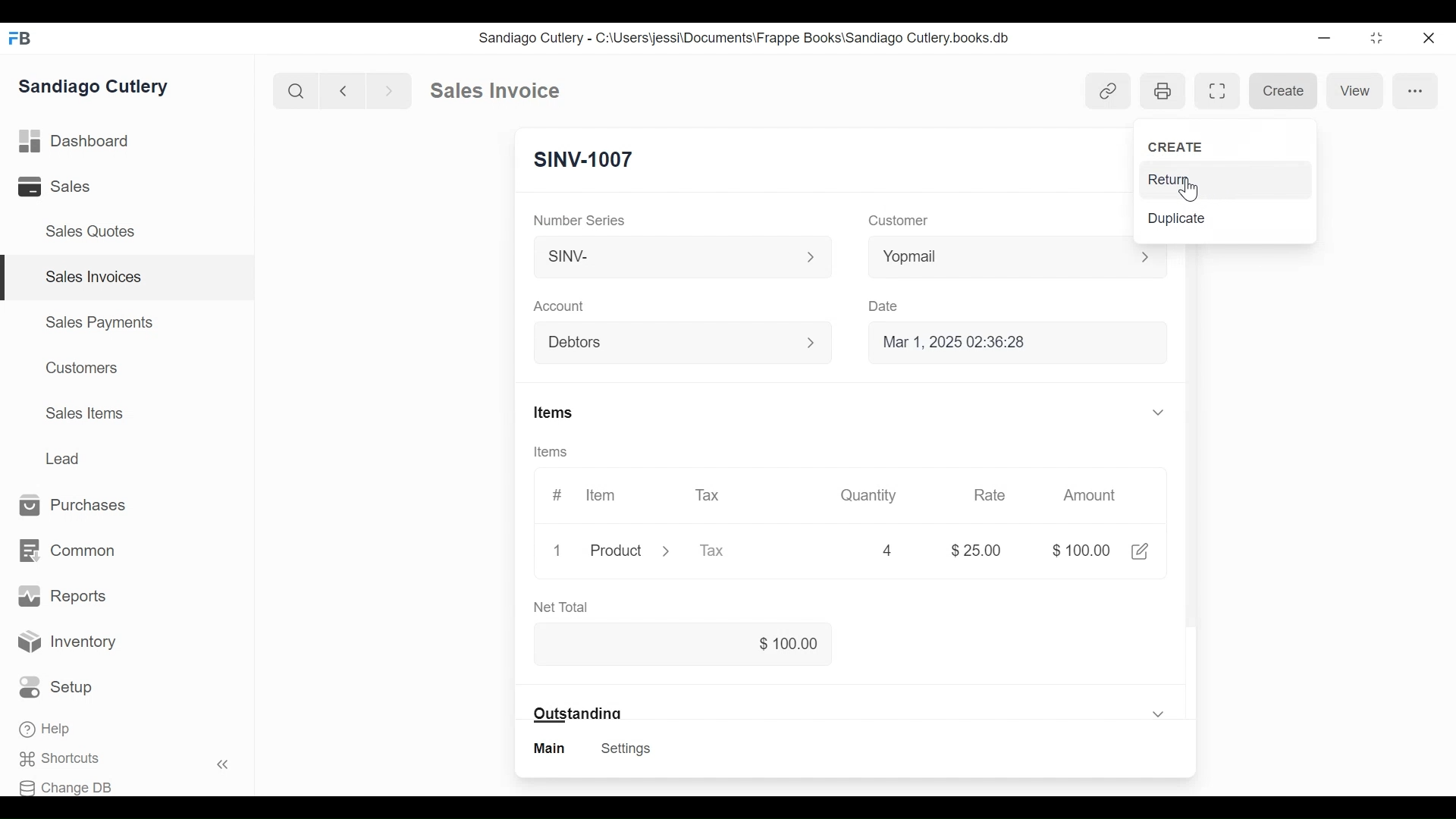 The width and height of the screenshot is (1456, 819). I want to click on #, so click(557, 495).